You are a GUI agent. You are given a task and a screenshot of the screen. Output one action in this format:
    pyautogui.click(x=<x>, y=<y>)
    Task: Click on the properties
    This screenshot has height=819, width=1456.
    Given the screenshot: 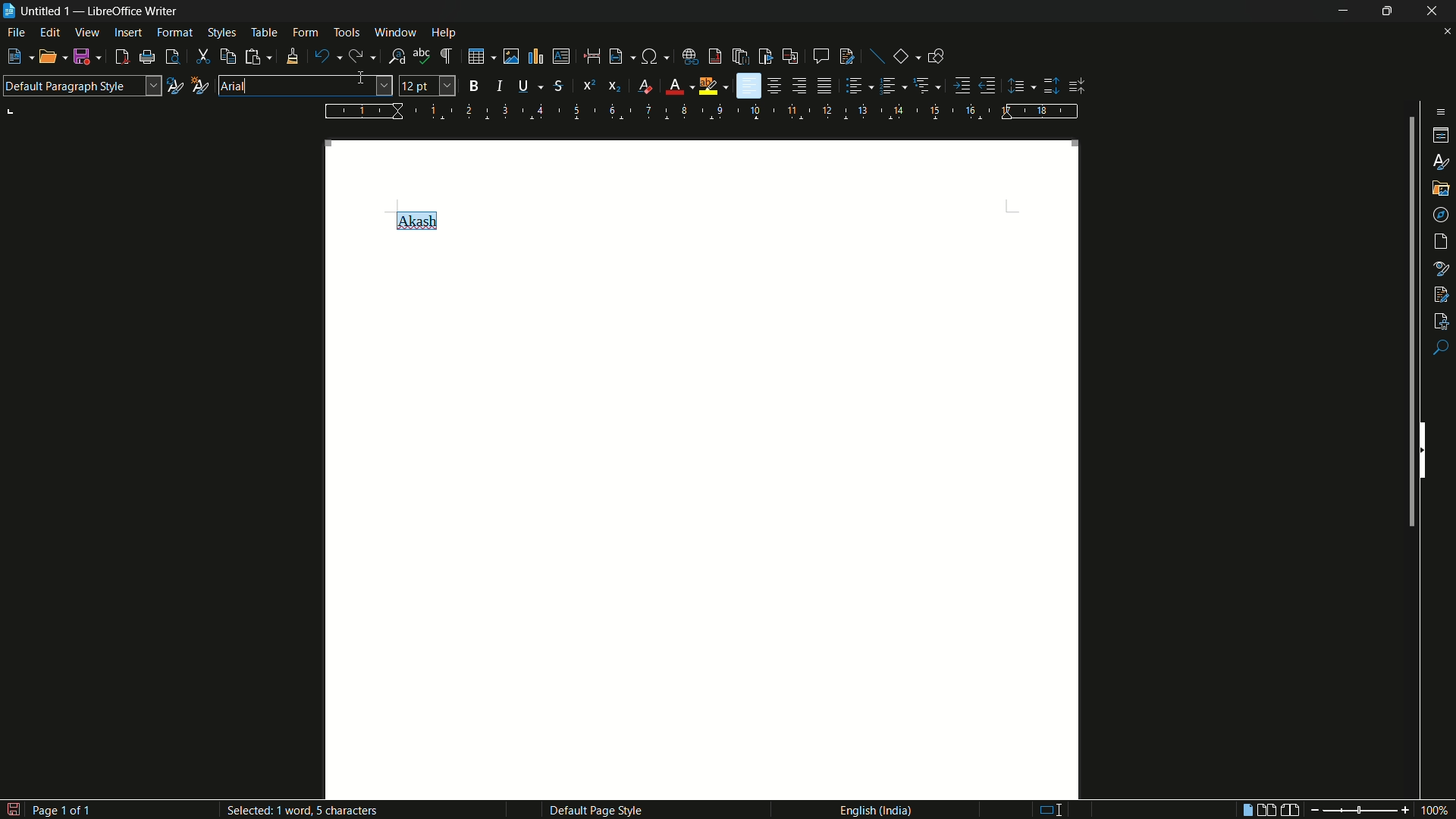 What is the action you would take?
    pyautogui.click(x=1442, y=136)
    